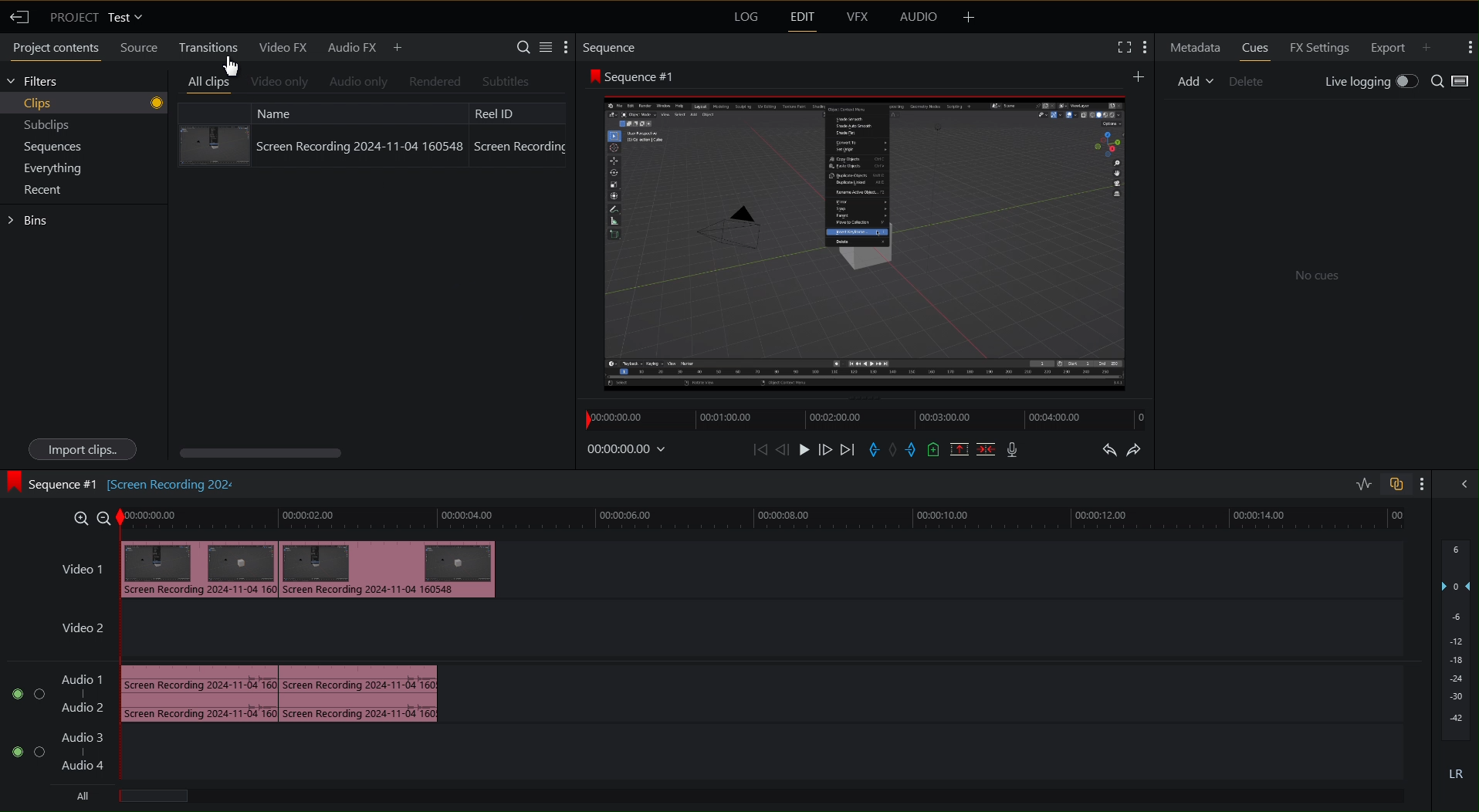 The height and width of the screenshot is (812, 1479). I want to click on Audio Track 1, so click(311, 692).